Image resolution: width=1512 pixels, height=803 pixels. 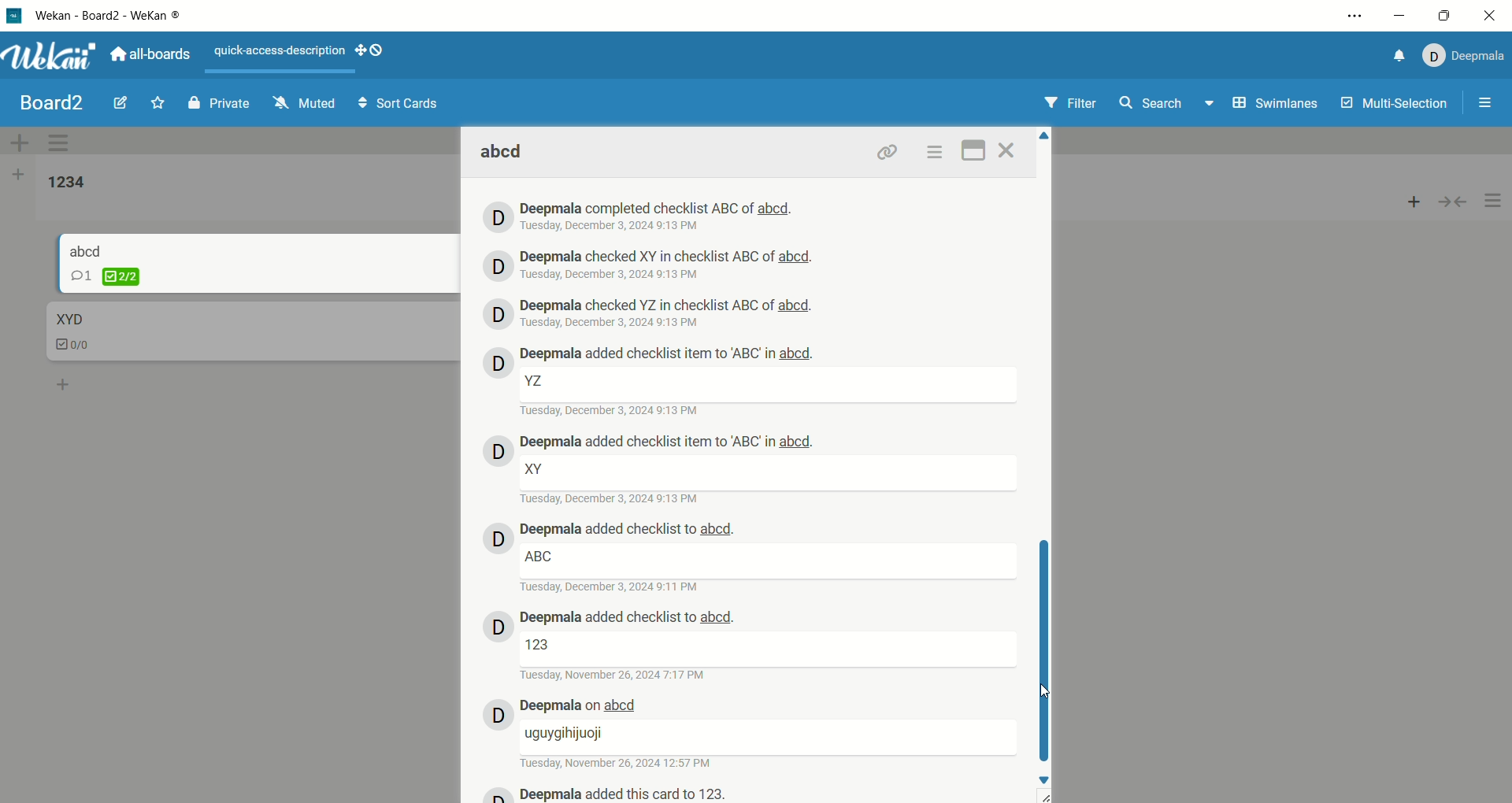 What do you see at coordinates (1277, 105) in the screenshot?
I see `swimlanes` at bounding box center [1277, 105].